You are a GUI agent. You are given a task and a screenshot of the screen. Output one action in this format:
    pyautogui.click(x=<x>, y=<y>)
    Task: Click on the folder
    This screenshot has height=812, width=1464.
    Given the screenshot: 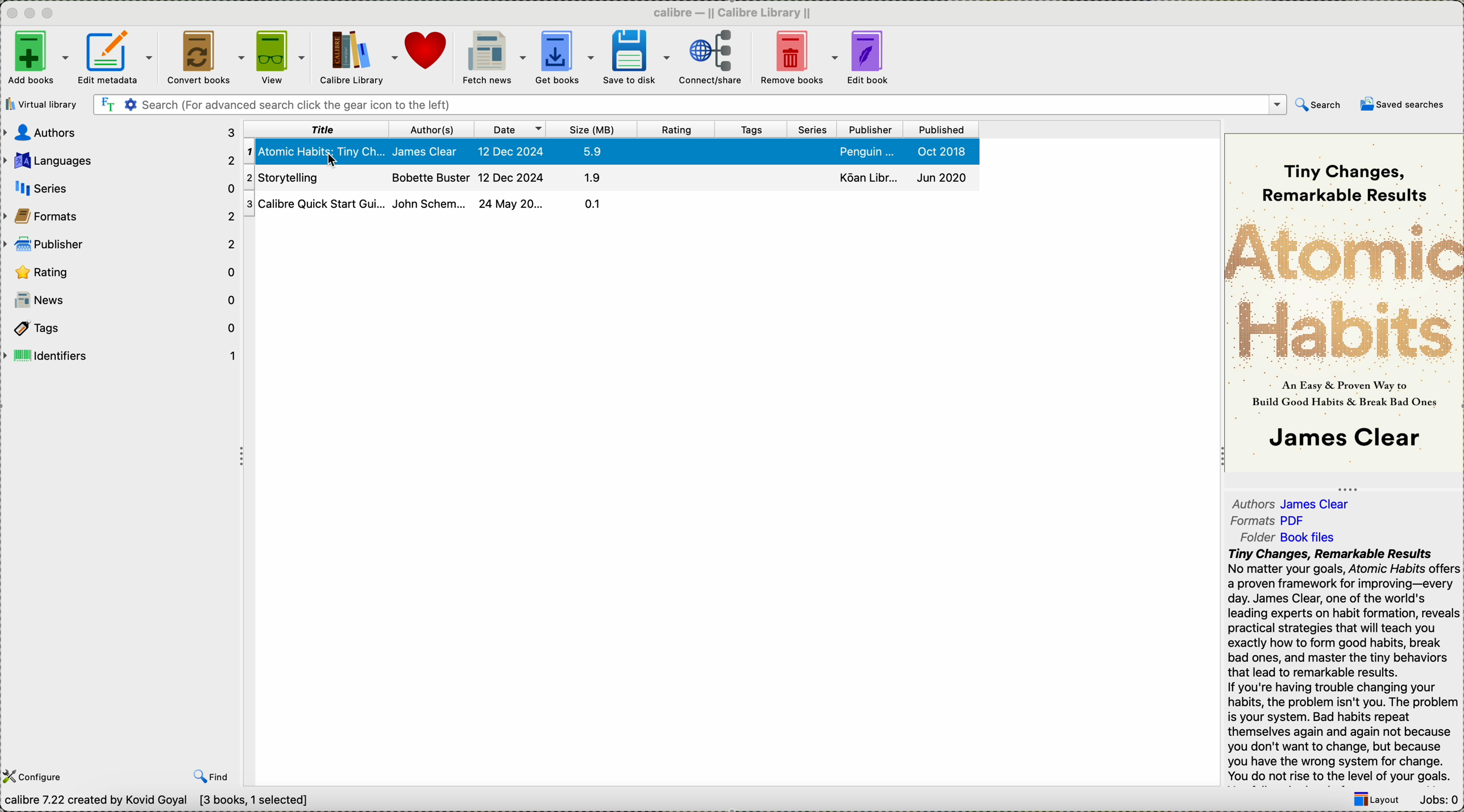 What is the action you would take?
    pyautogui.click(x=1295, y=536)
    